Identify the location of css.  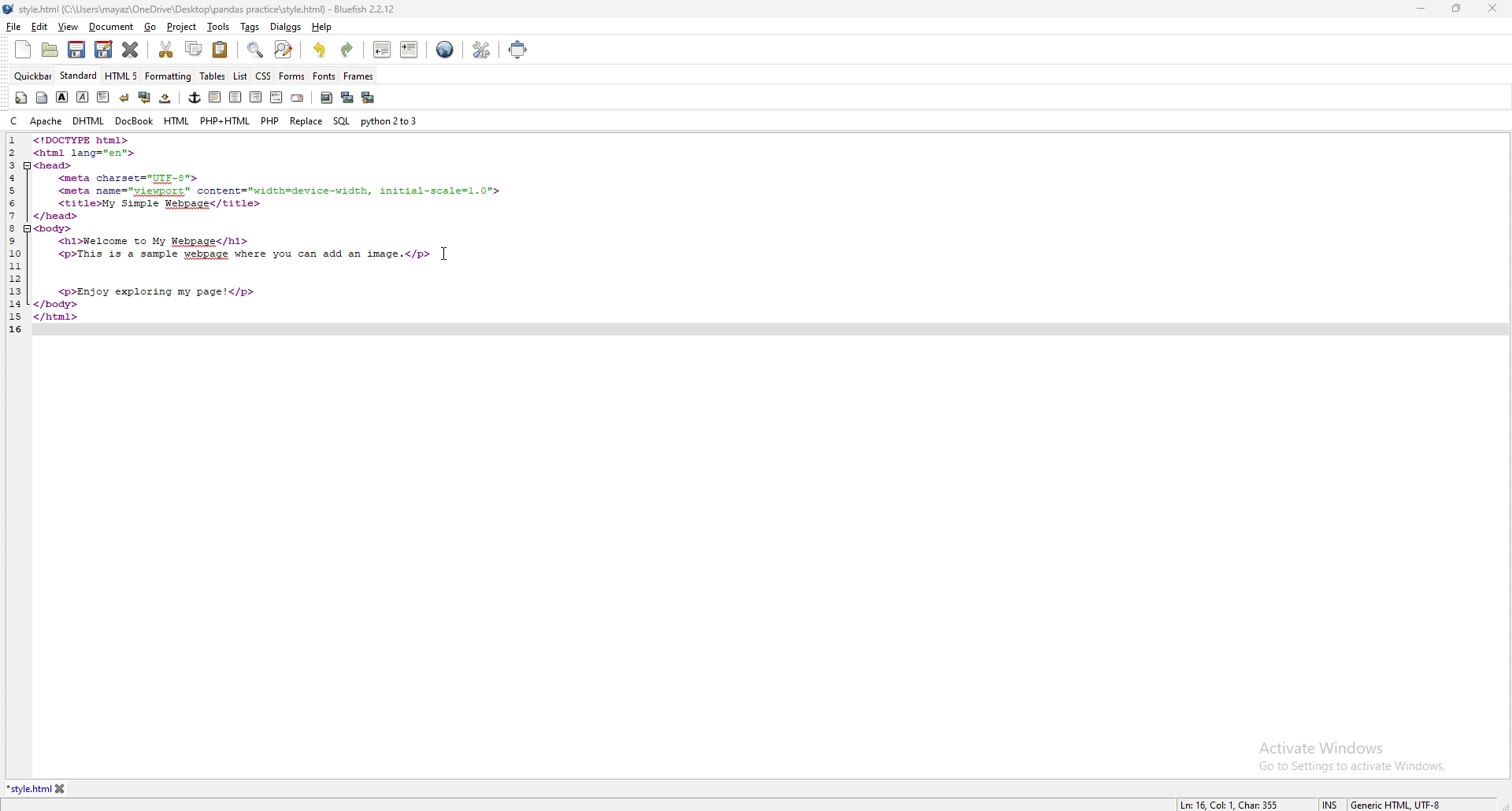
(263, 75).